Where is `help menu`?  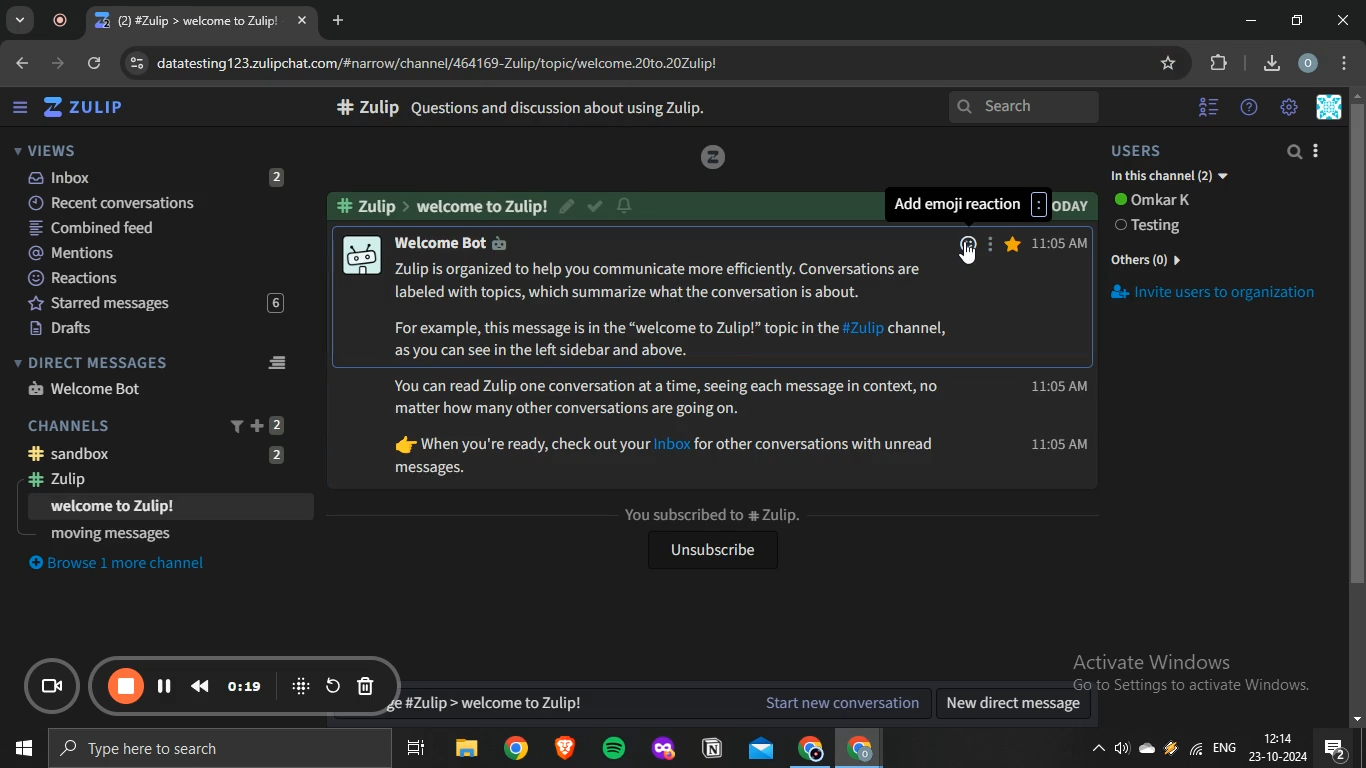
help menu is located at coordinates (1249, 108).